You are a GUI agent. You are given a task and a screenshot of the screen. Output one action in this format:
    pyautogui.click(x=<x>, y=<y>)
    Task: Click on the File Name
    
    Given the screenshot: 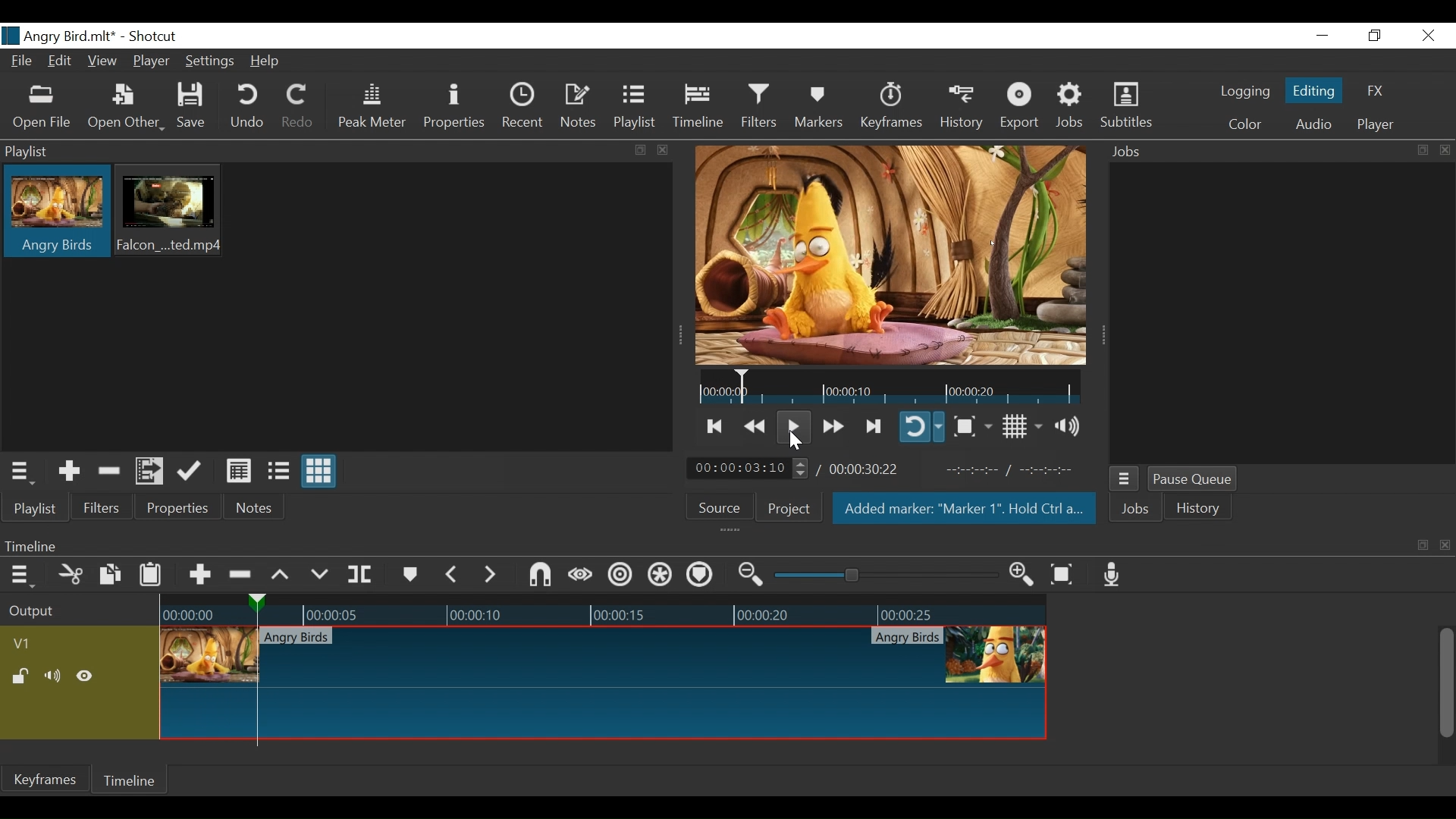 What is the action you would take?
    pyautogui.click(x=60, y=36)
    